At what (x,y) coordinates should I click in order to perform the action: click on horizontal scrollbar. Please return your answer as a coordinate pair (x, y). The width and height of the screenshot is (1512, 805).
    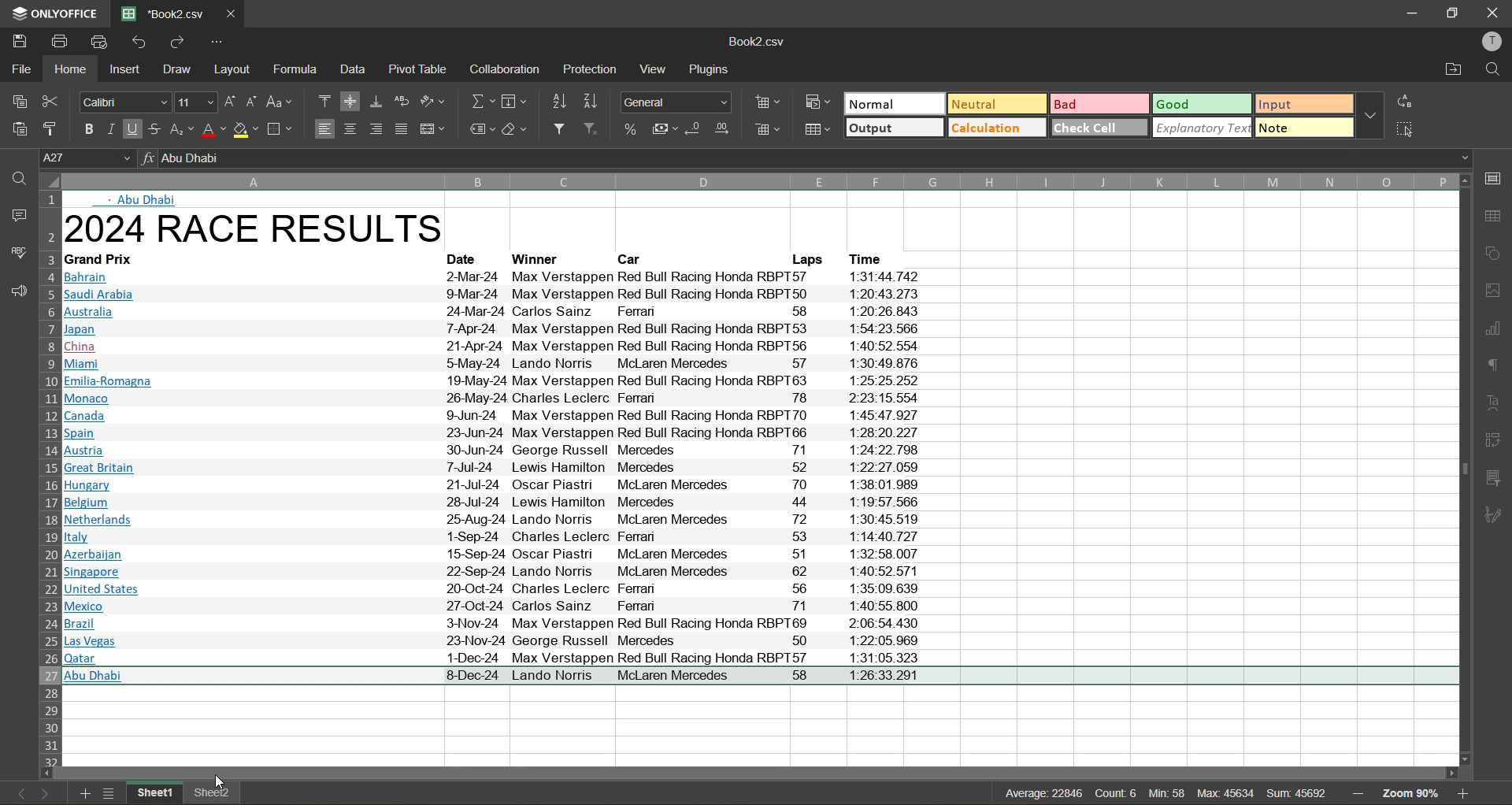
    Looking at the image, I should click on (754, 772).